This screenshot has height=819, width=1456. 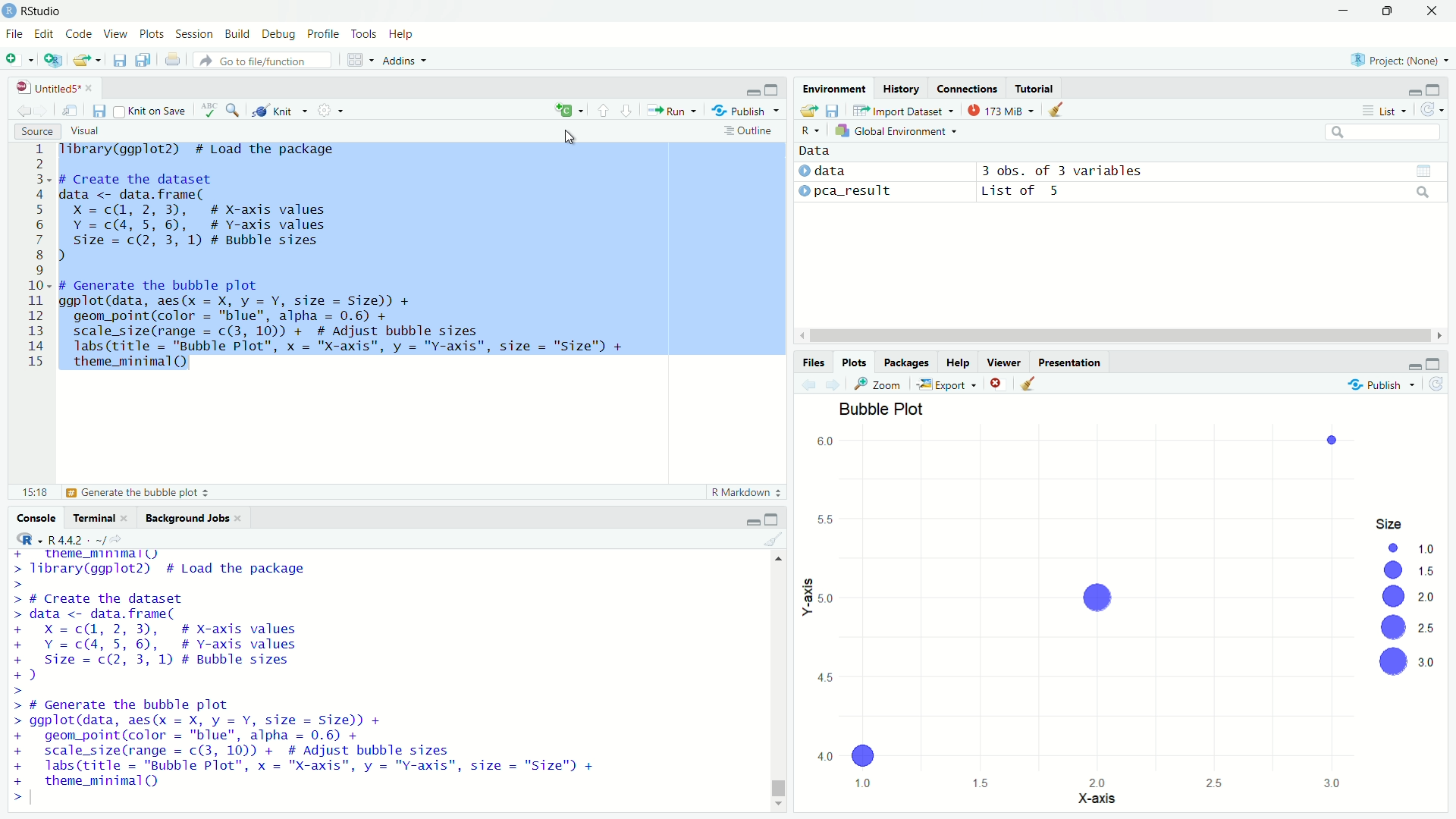 What do you see at coordinates (772, 519) in the screenshot?
I see `maximize` at bounding box center [772, 519].